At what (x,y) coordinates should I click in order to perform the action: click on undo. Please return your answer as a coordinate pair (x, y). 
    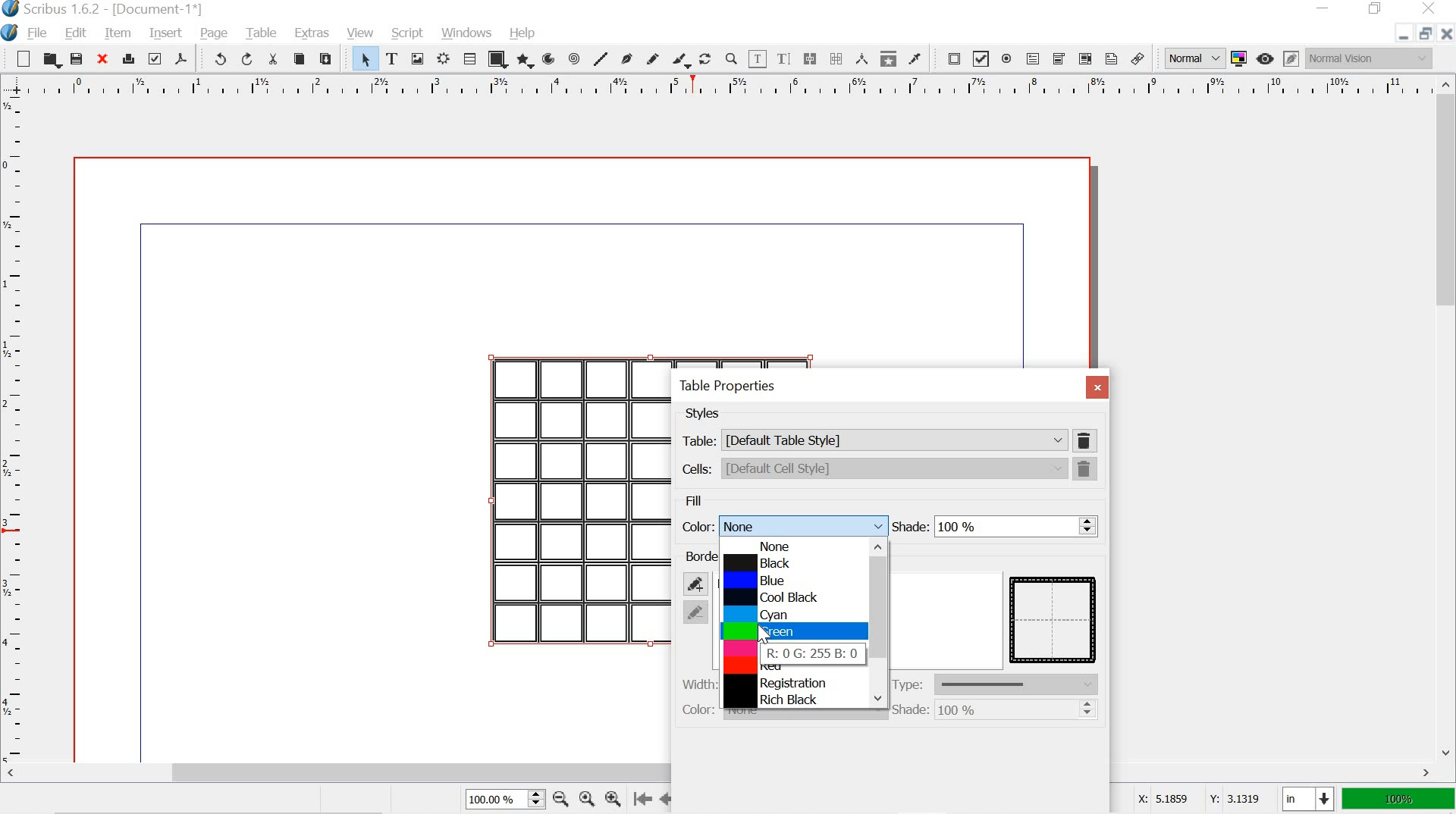
    Looking at the image, I should click on (217, 58).